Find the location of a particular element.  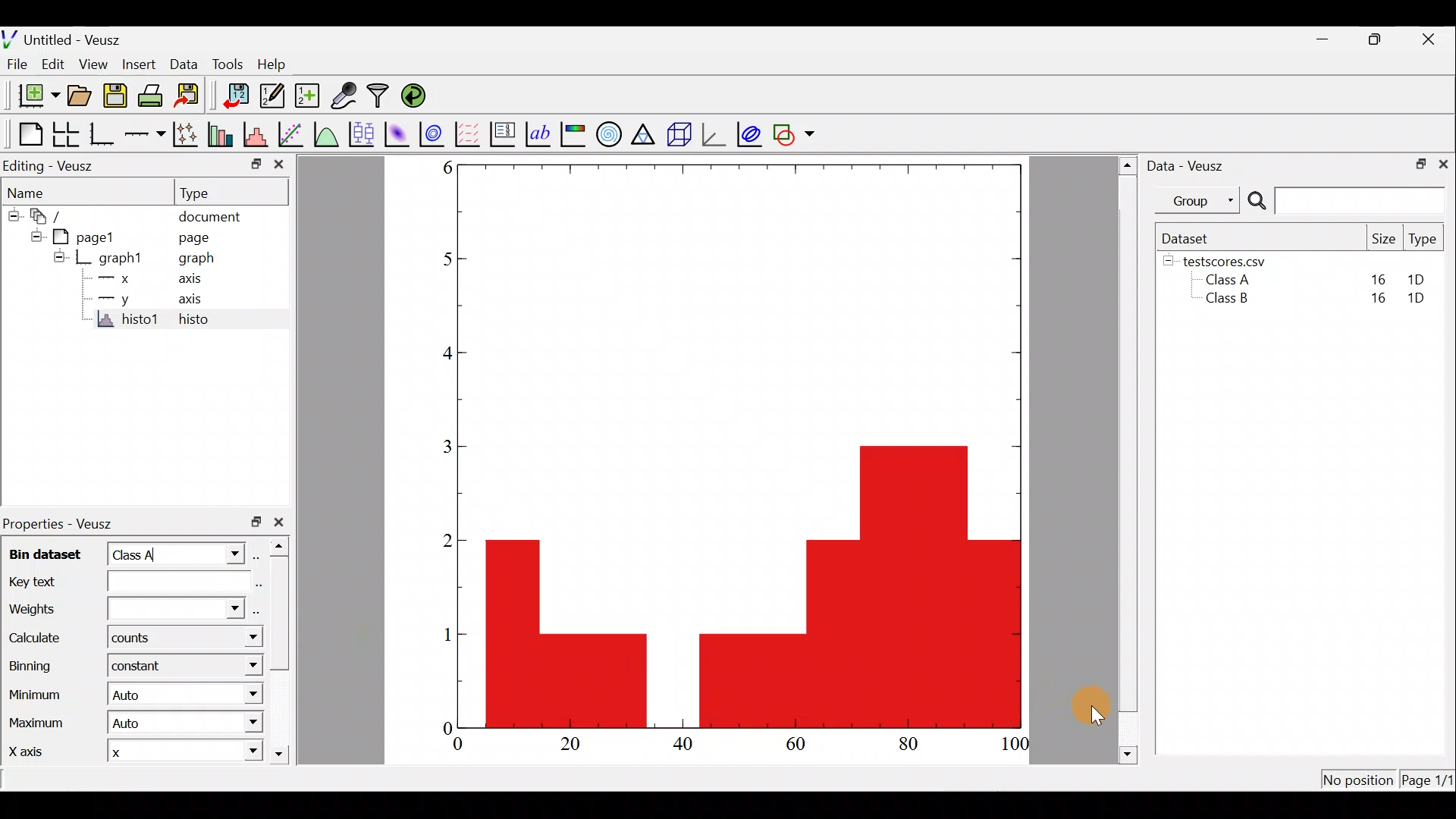

Import data into veusz is located at coordinates (235, 96).